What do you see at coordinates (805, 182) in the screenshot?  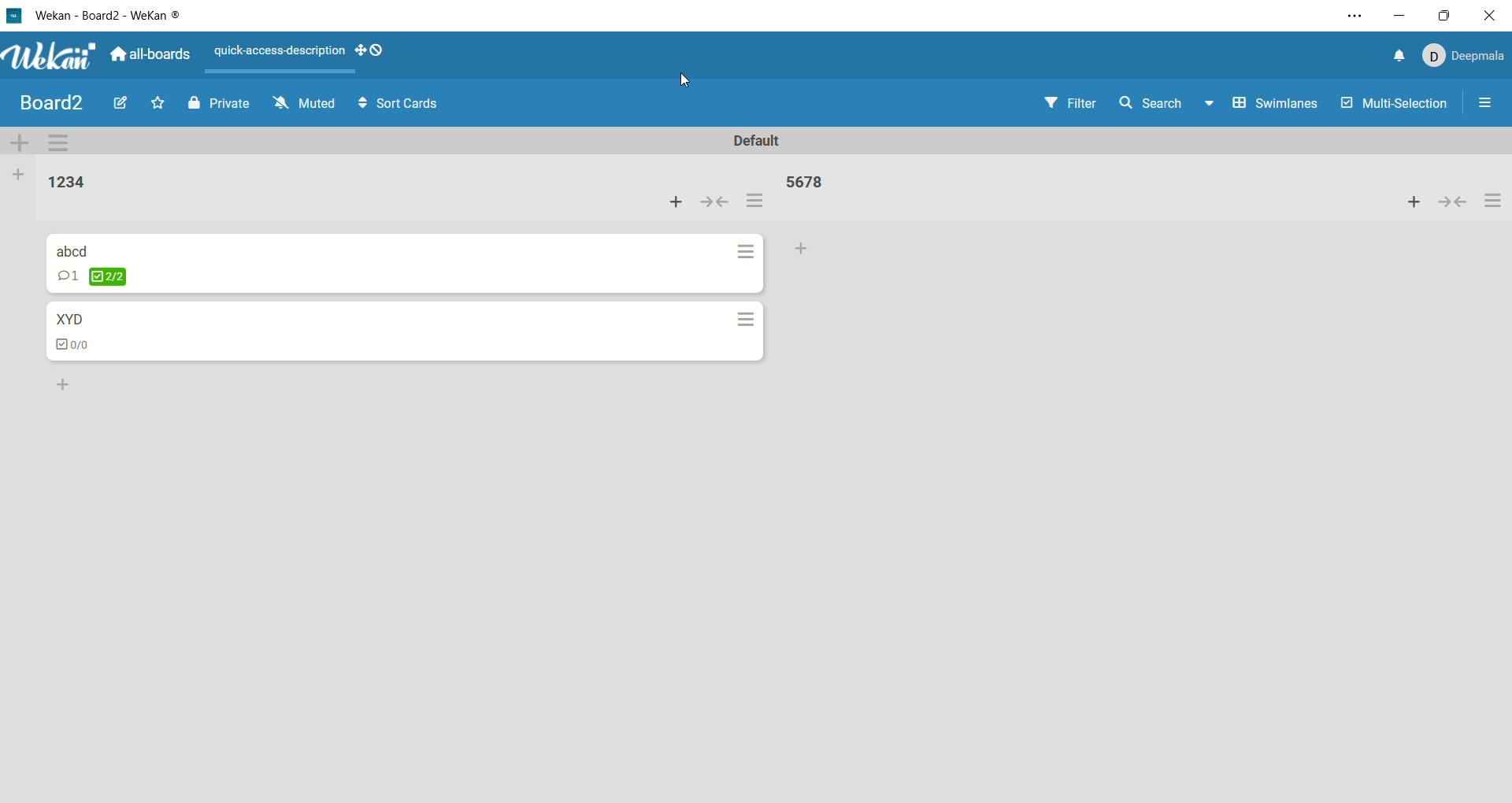 I see `list title` at bounding box center [805, 182].